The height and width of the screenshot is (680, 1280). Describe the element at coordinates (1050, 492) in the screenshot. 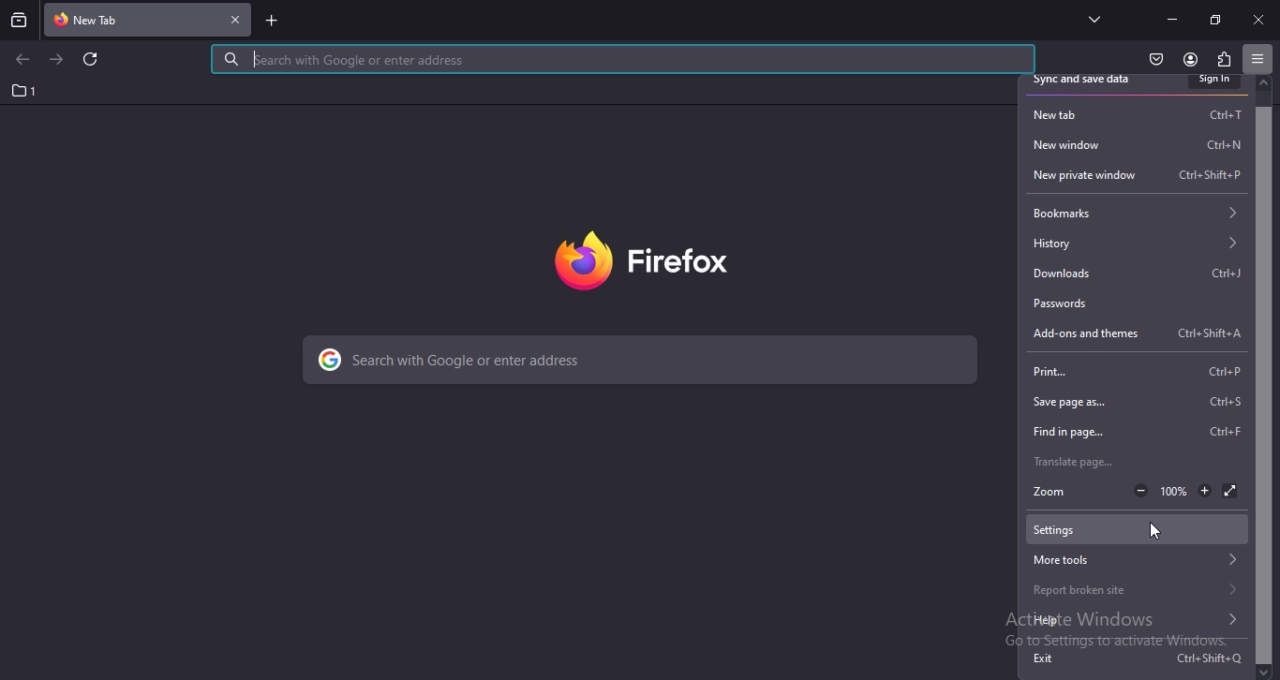

I see `zoom` at that location.